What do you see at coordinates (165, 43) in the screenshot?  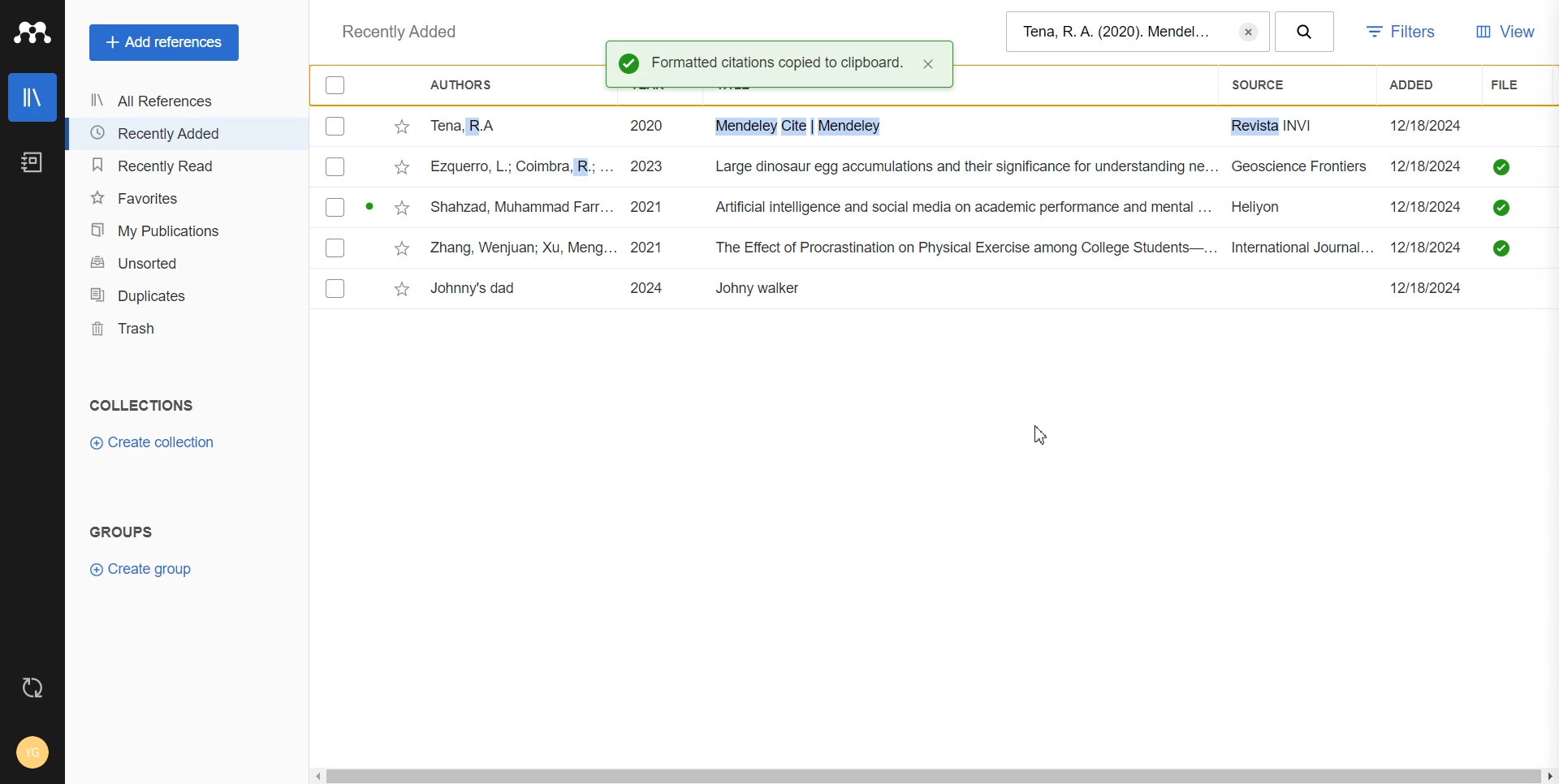 I see `Add References` at bounding box center [165, 43].